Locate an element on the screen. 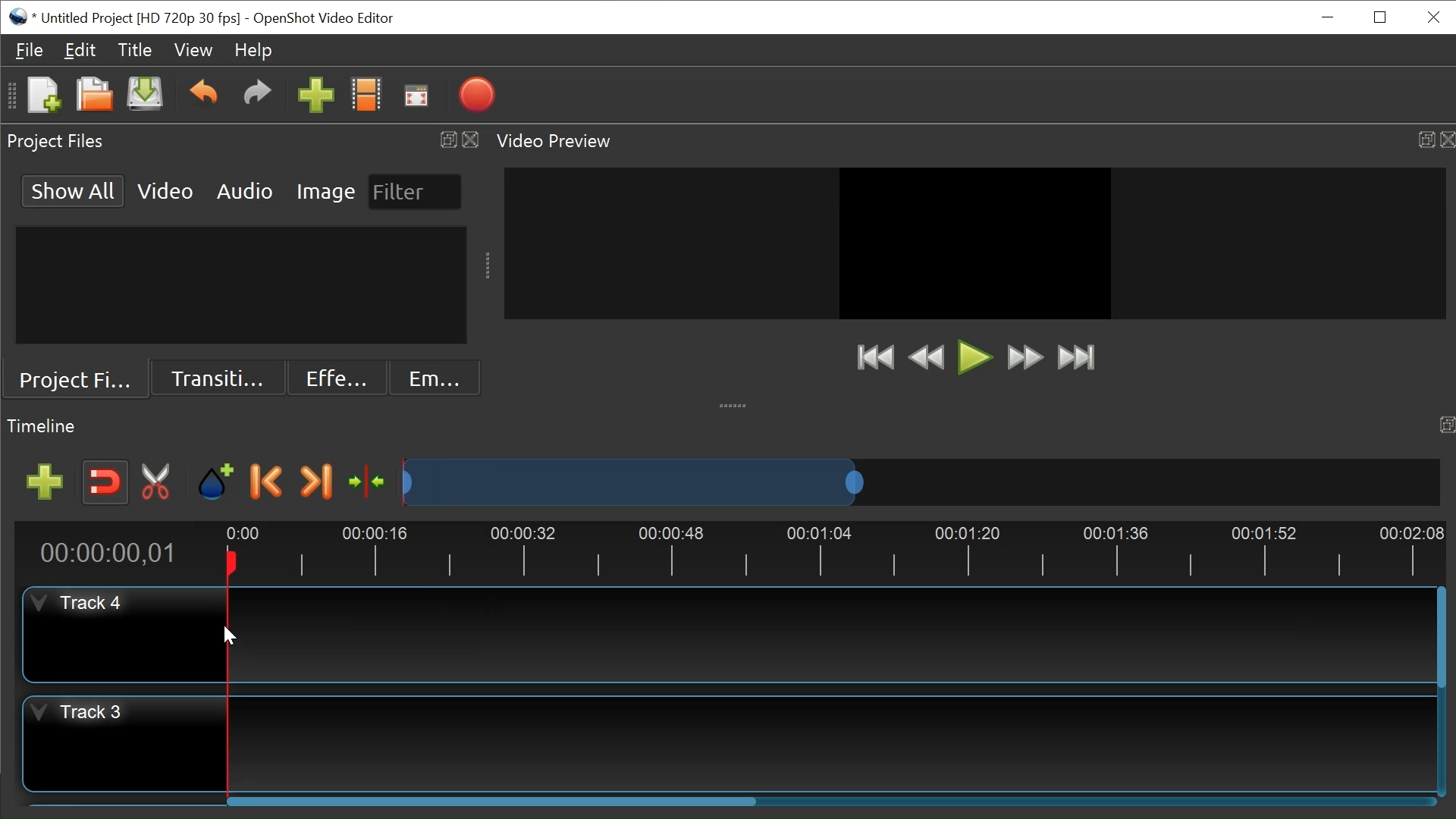 The width and height of the screenshot is (1456, 819). Effects is located at coordinates (334, 378).